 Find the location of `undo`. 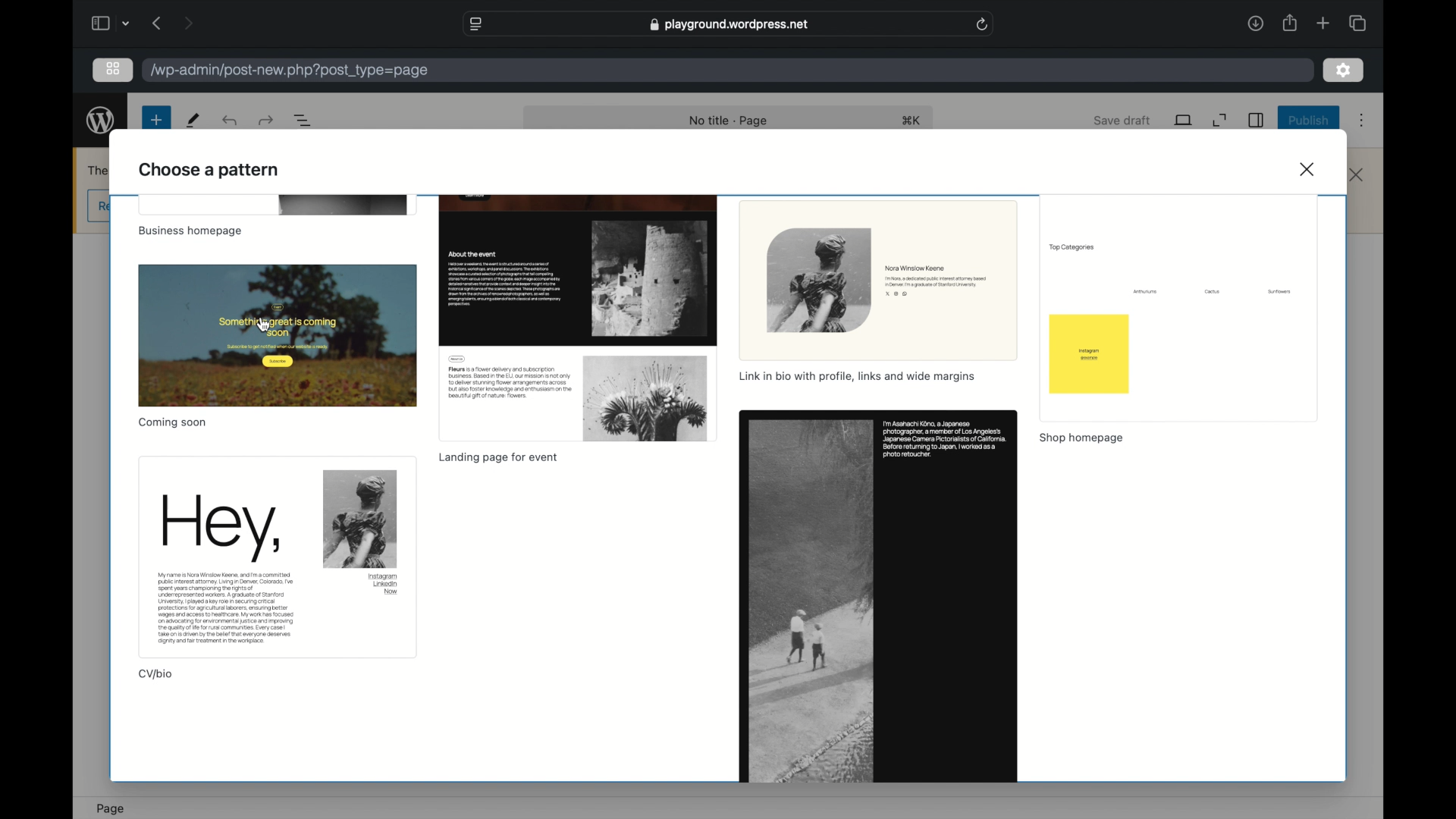

undo is located at coordinates (228, 121).